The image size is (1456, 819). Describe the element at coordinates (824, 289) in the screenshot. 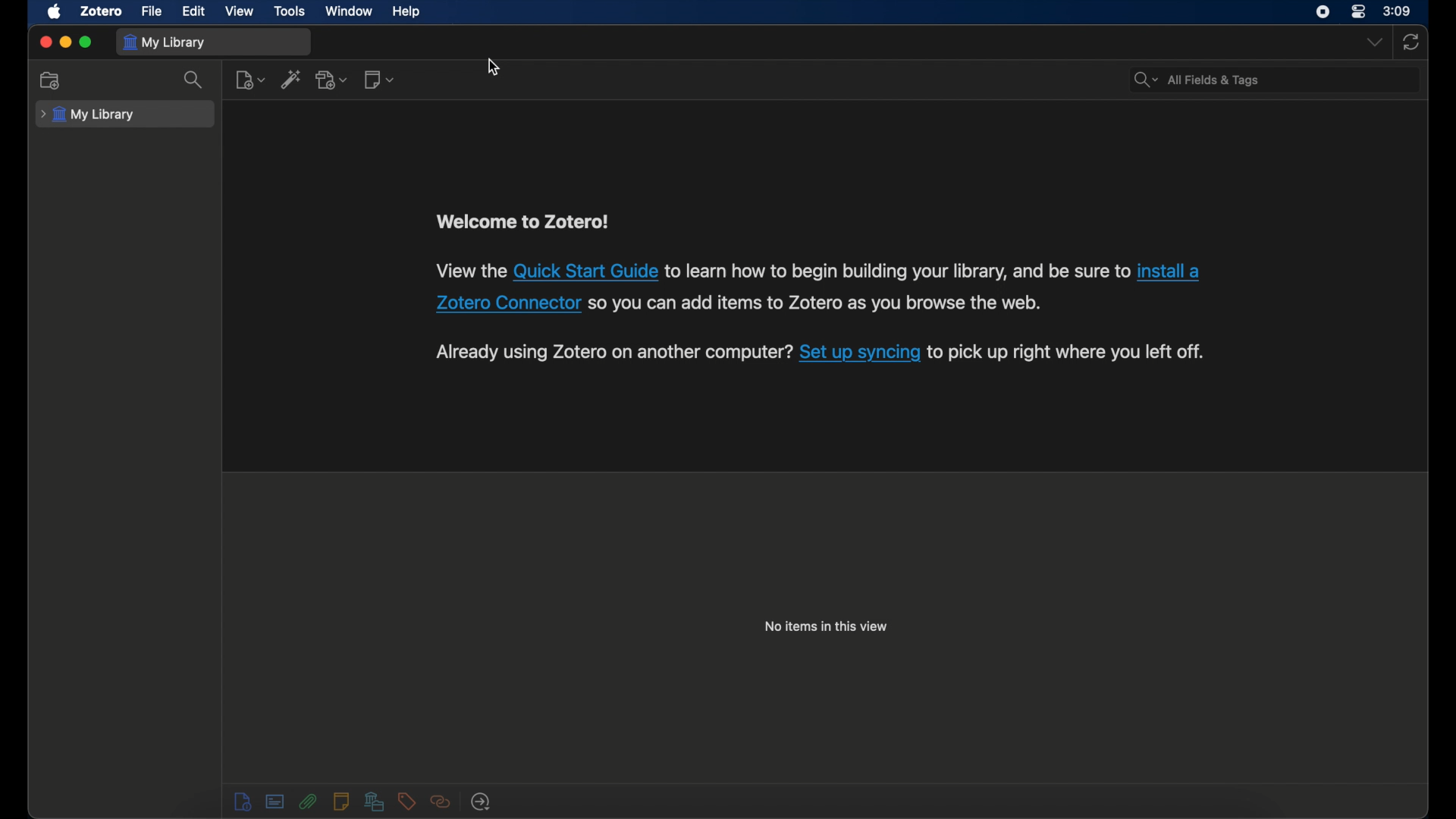

I see `info` at that location.